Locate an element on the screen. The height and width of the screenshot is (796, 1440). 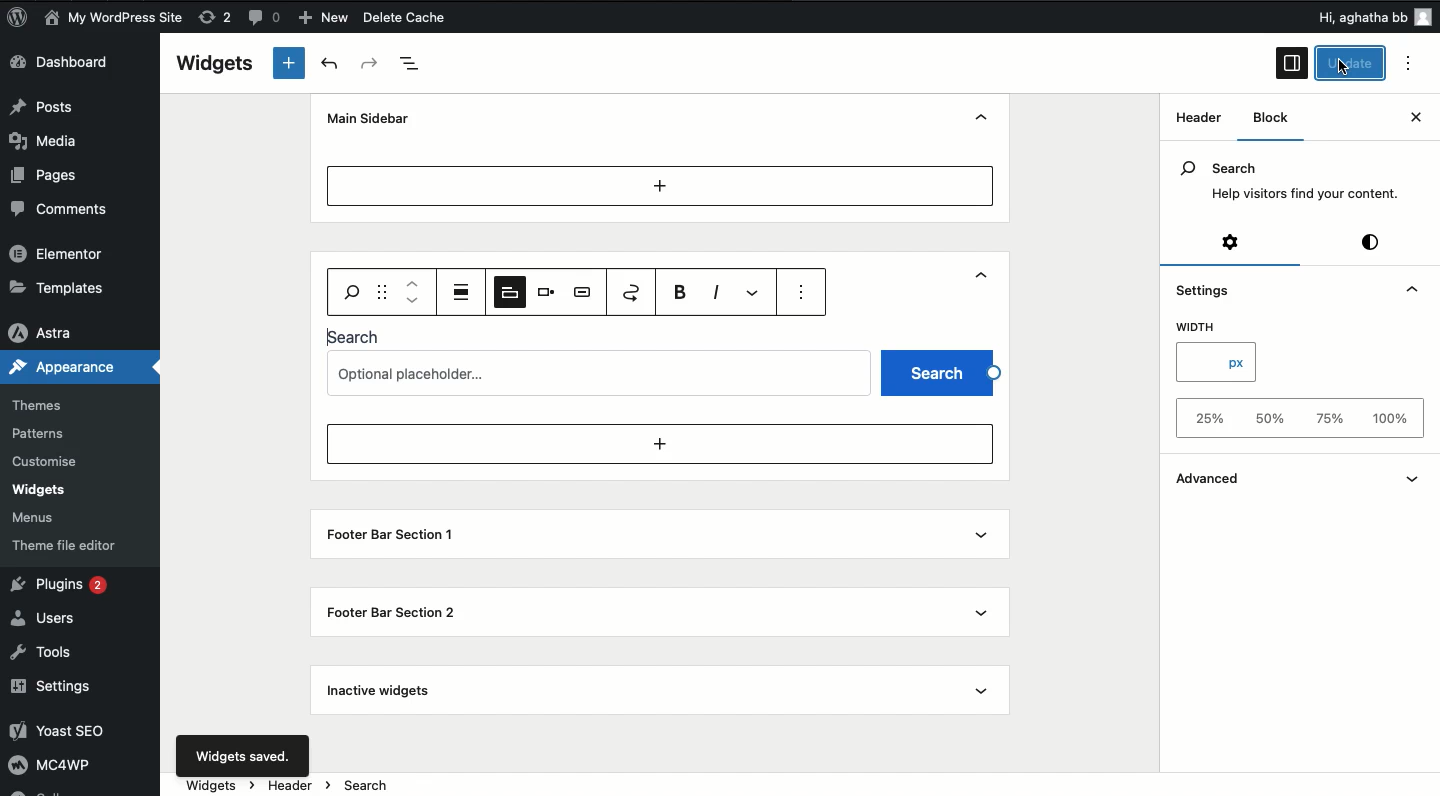
Main sidebar is located at coordinates (373, 118).